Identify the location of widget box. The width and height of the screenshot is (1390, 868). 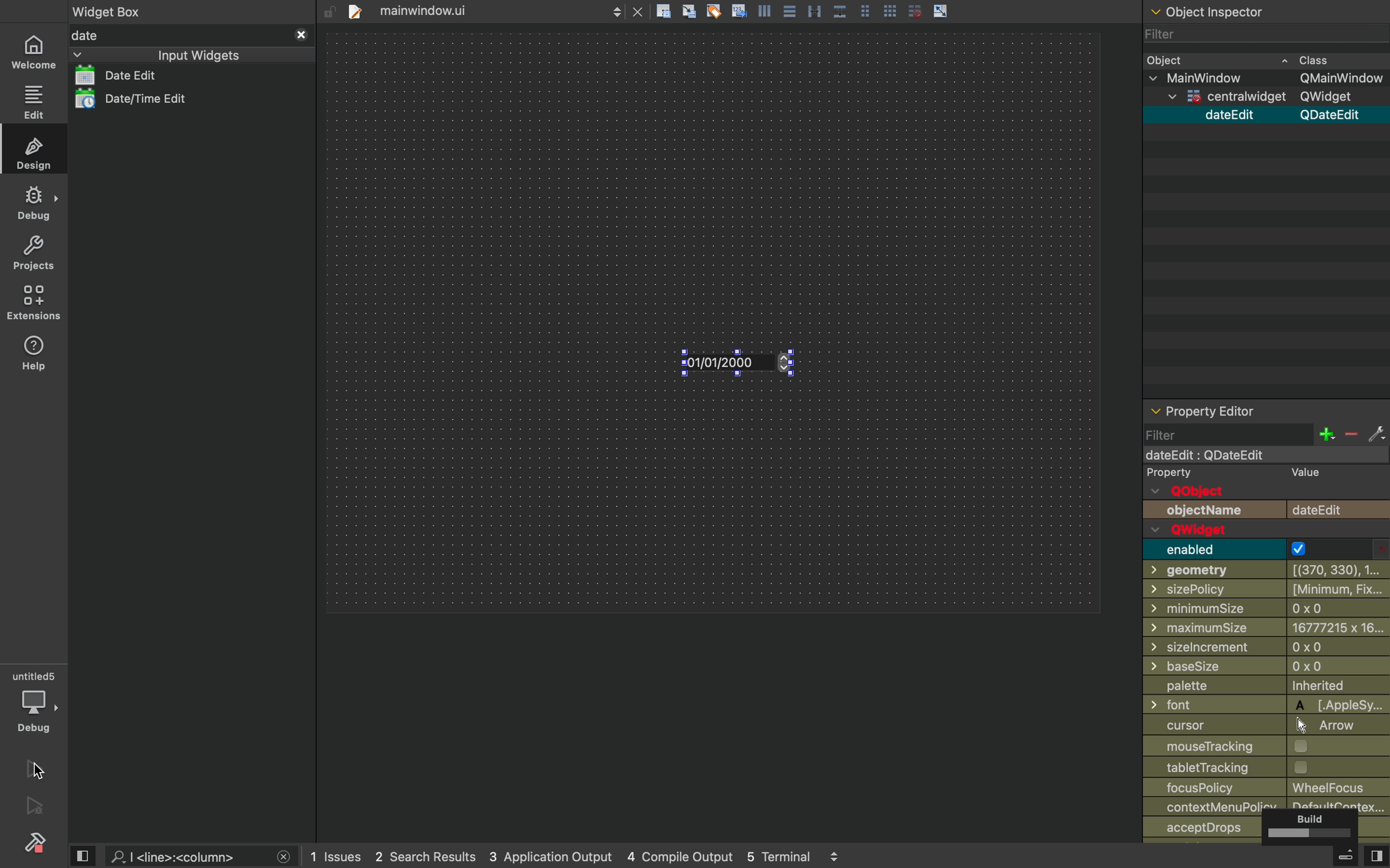
(111, 10).